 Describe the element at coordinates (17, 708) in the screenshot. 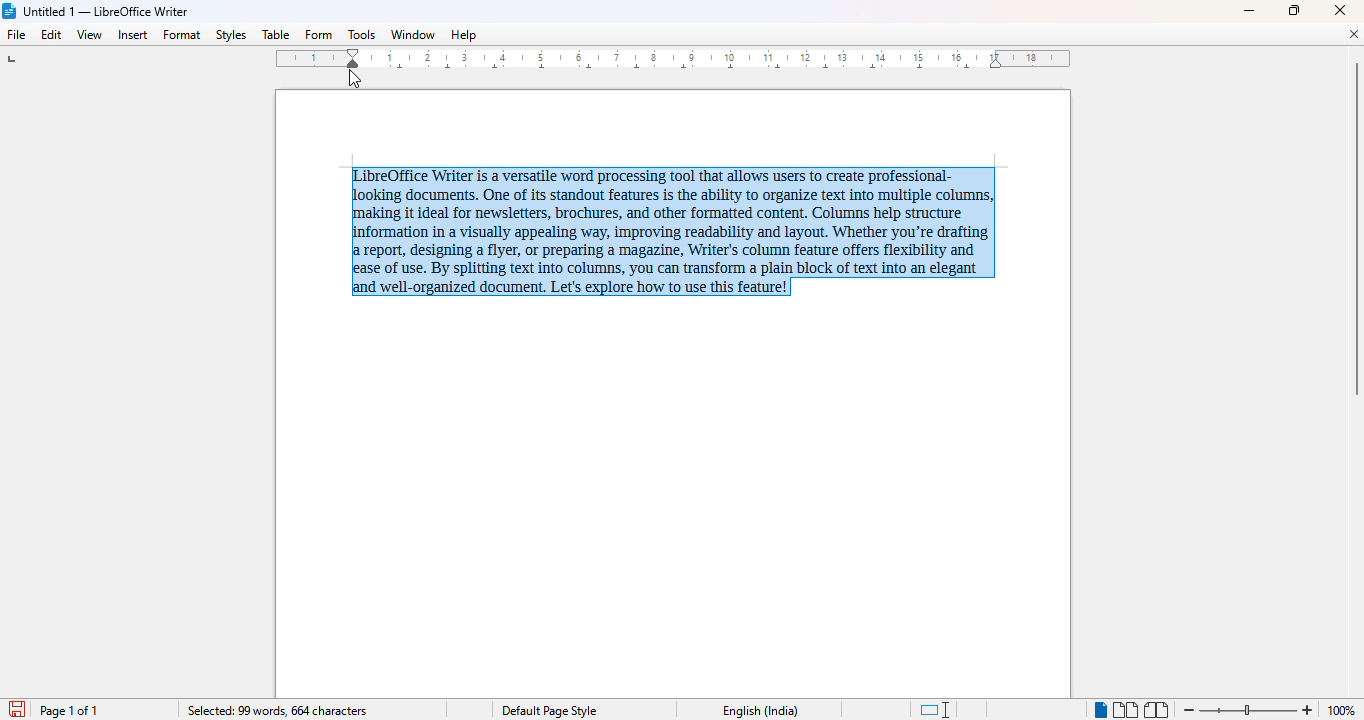

I see `save document` at that location.